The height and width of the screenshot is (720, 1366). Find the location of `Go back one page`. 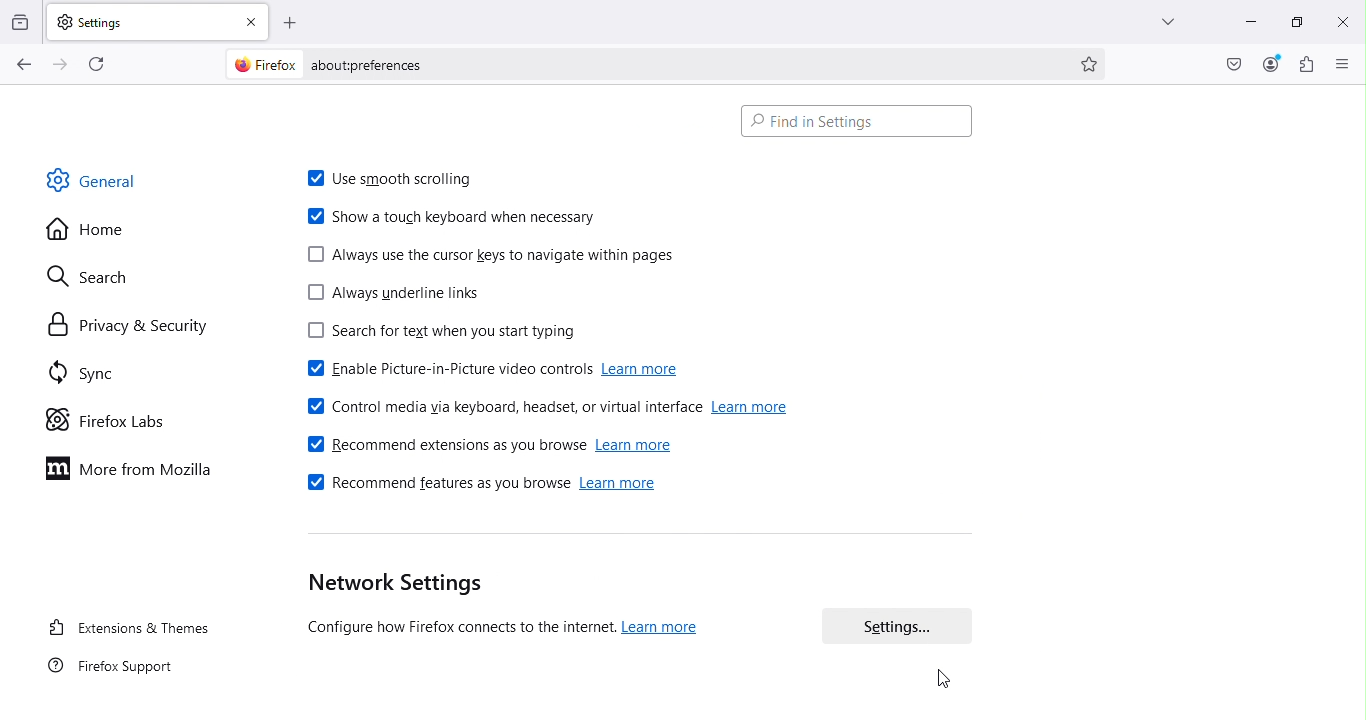

Go back one page is located at coordinates (24, 65).